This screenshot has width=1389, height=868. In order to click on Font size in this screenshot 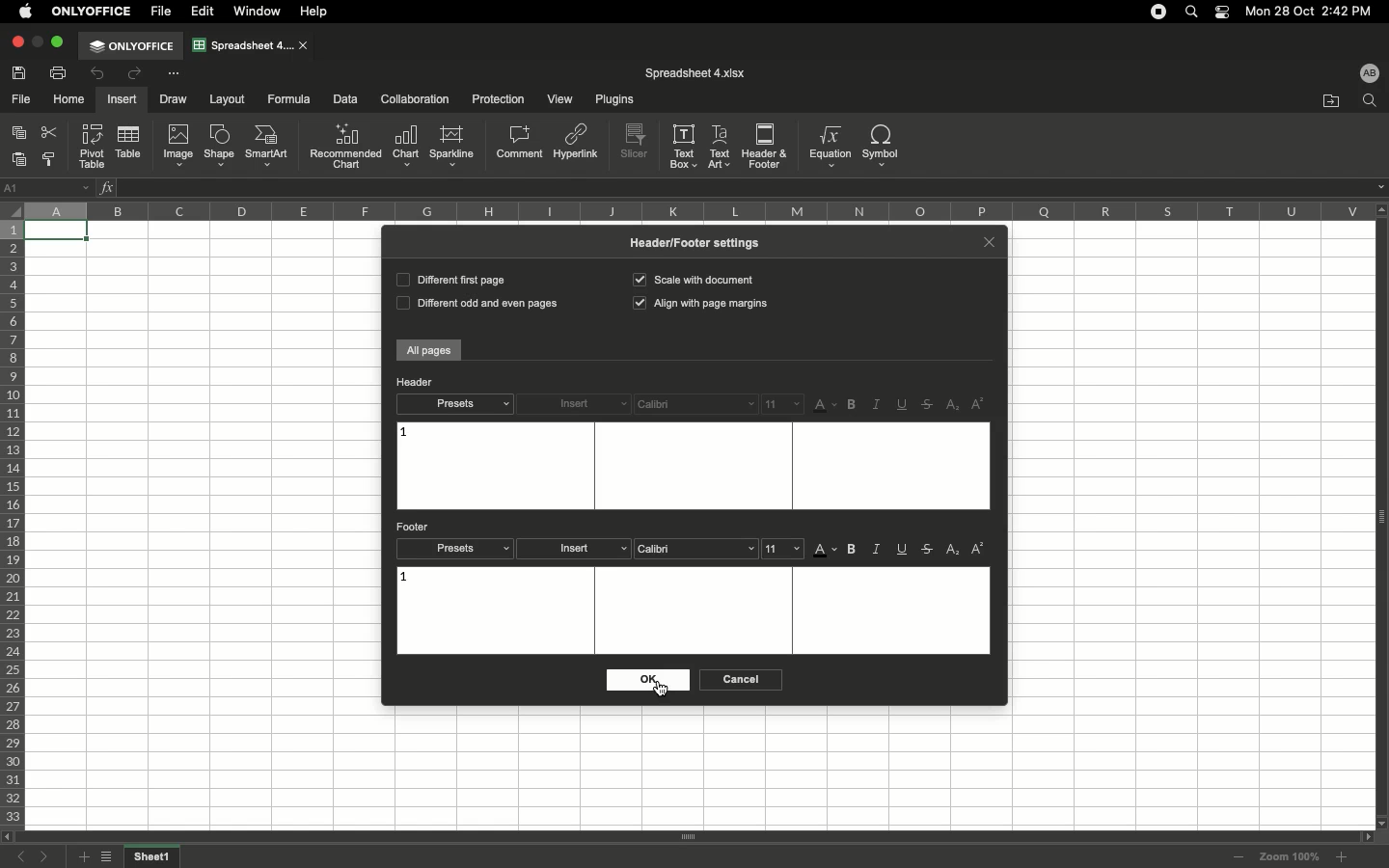, I will do `click(783, 403)`.